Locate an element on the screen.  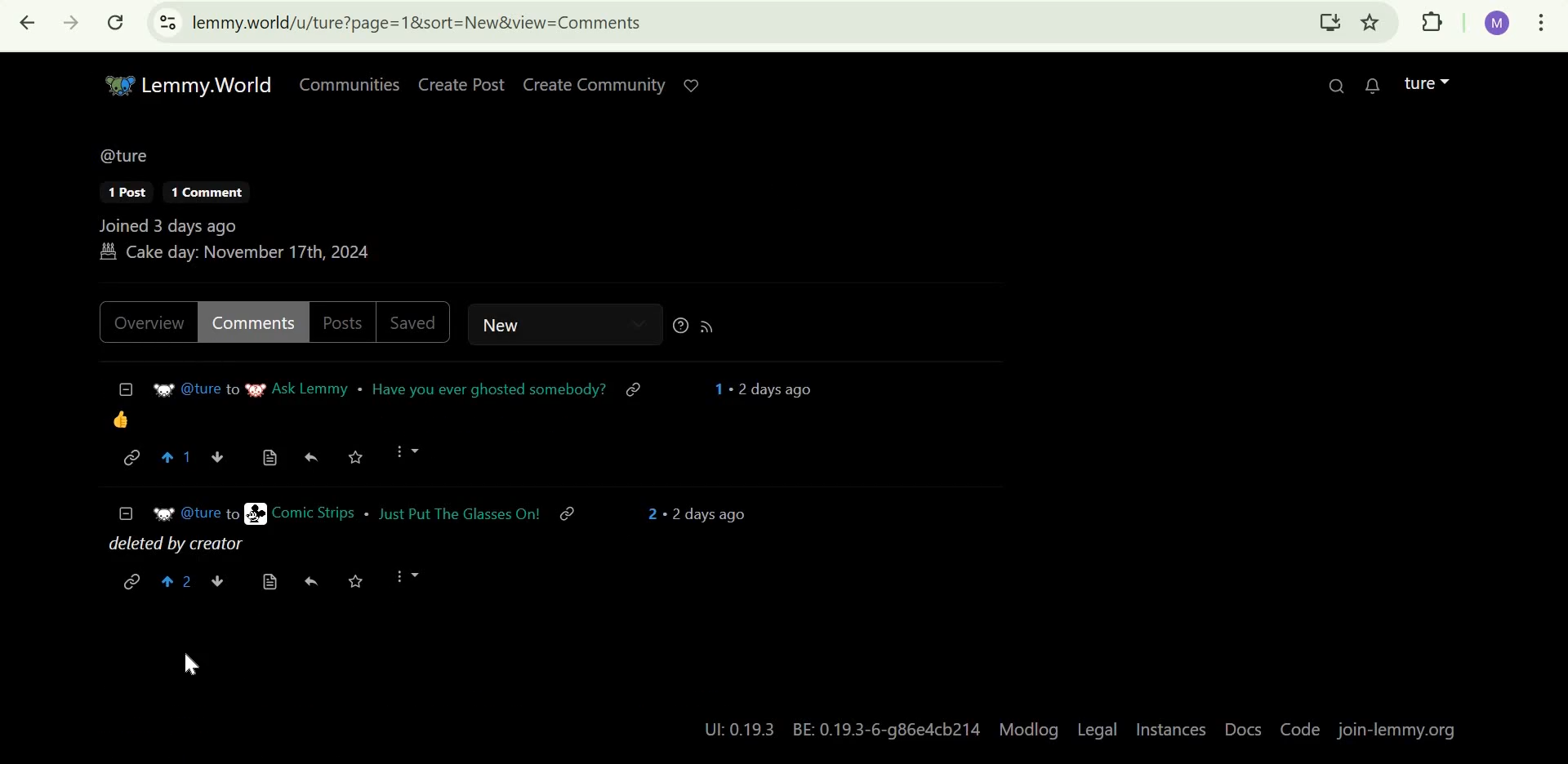
save is located at coordinates (357, 457).